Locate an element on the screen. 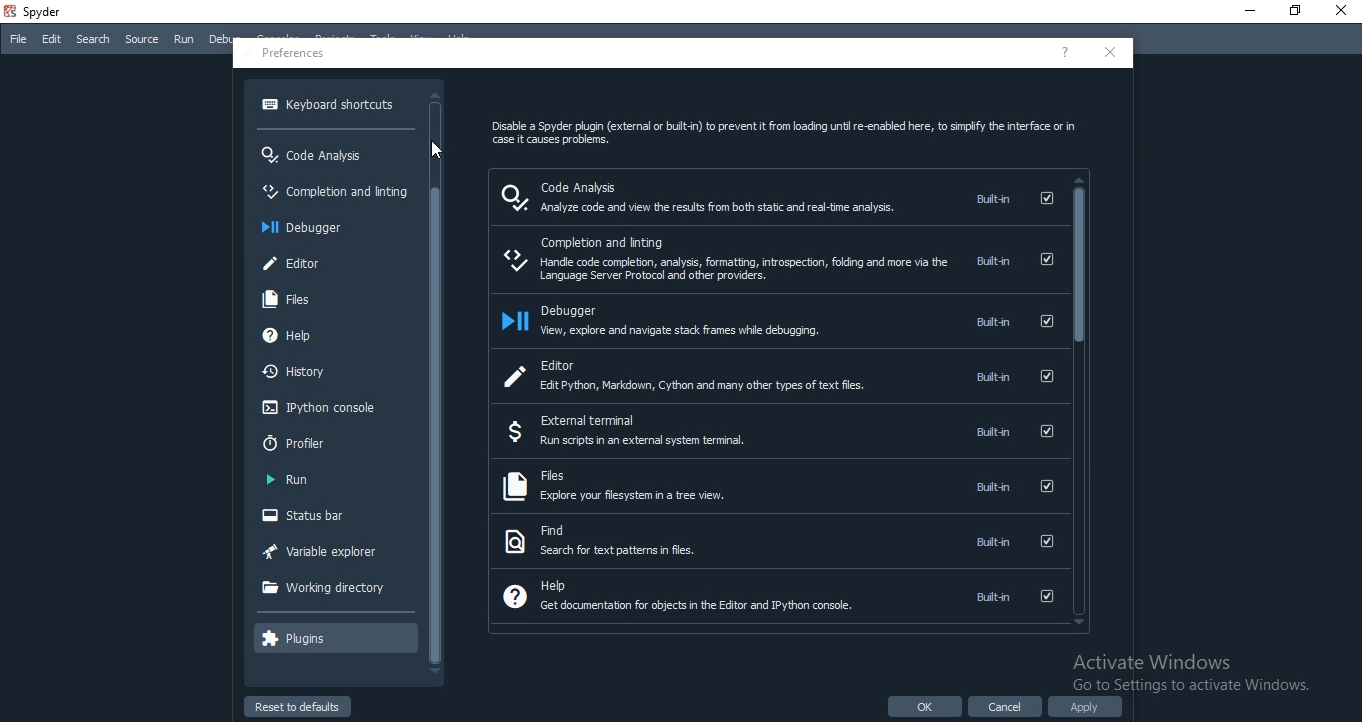 The width and height of the screenshot is (1362, 722). Cursor on scroll is located at coordinates (432, 152).